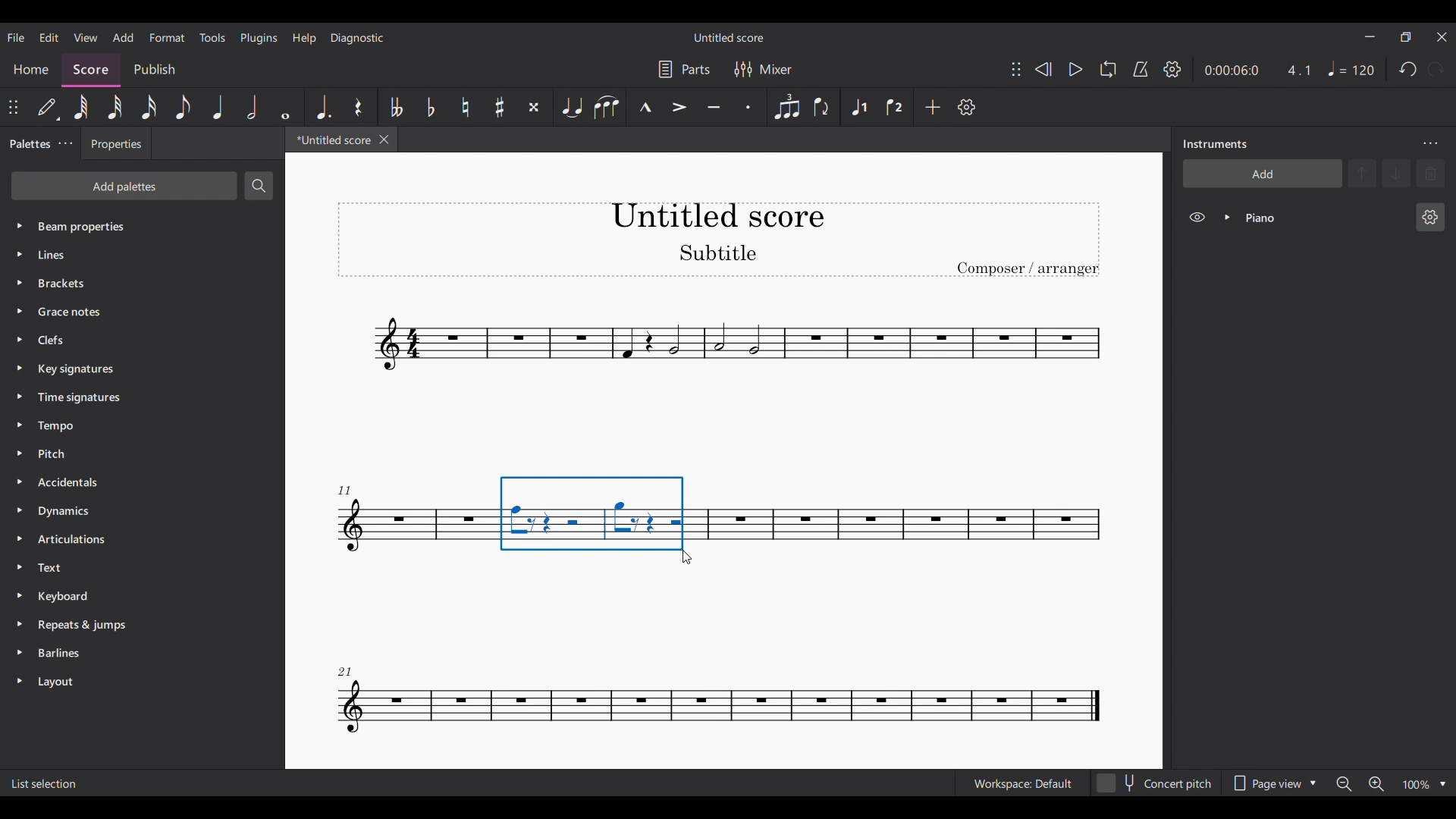  What do you see at coordinates (15, 37) in the screenshot?
I see `File menu` at bounding box center [15, 37].